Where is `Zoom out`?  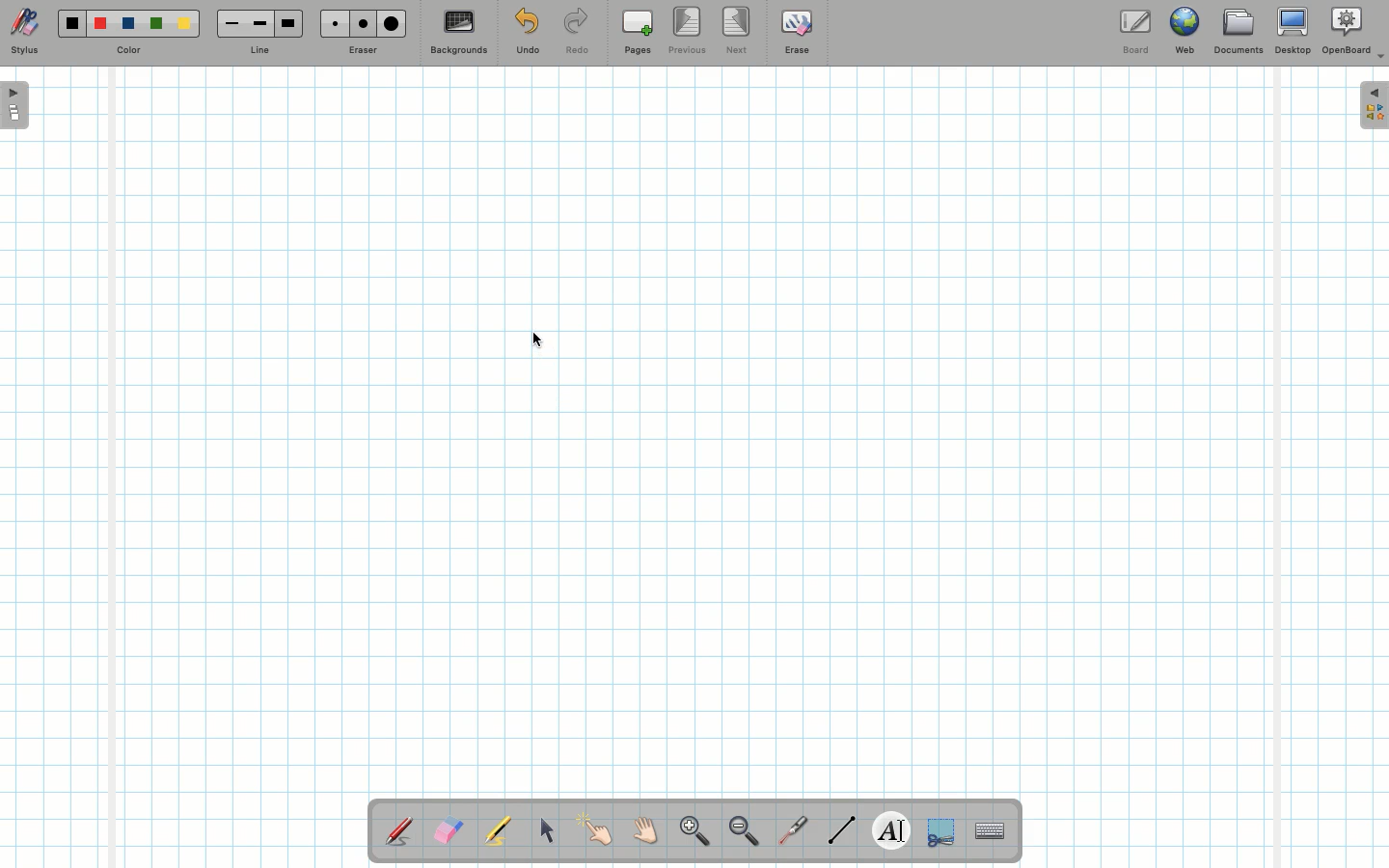
Zoom out is located at coordinates (744, 832).